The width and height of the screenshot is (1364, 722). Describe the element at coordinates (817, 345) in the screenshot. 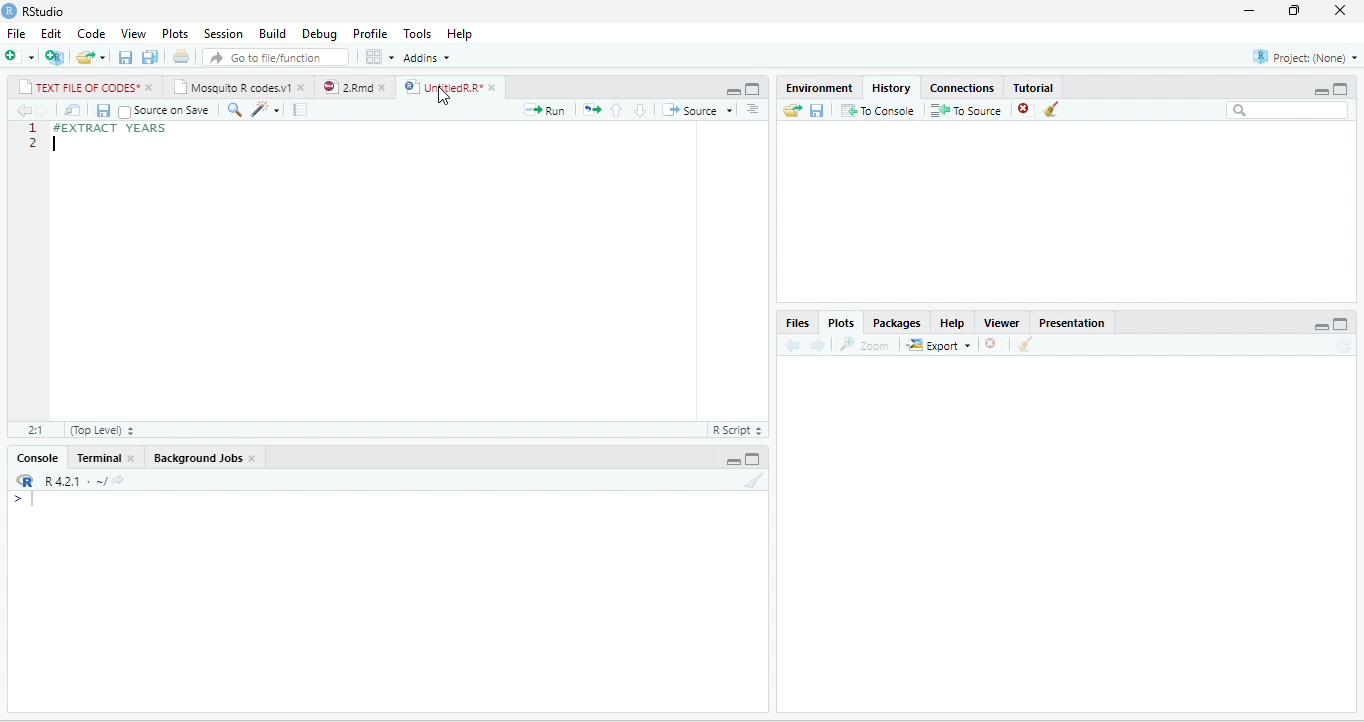

I see `forward` at that location.